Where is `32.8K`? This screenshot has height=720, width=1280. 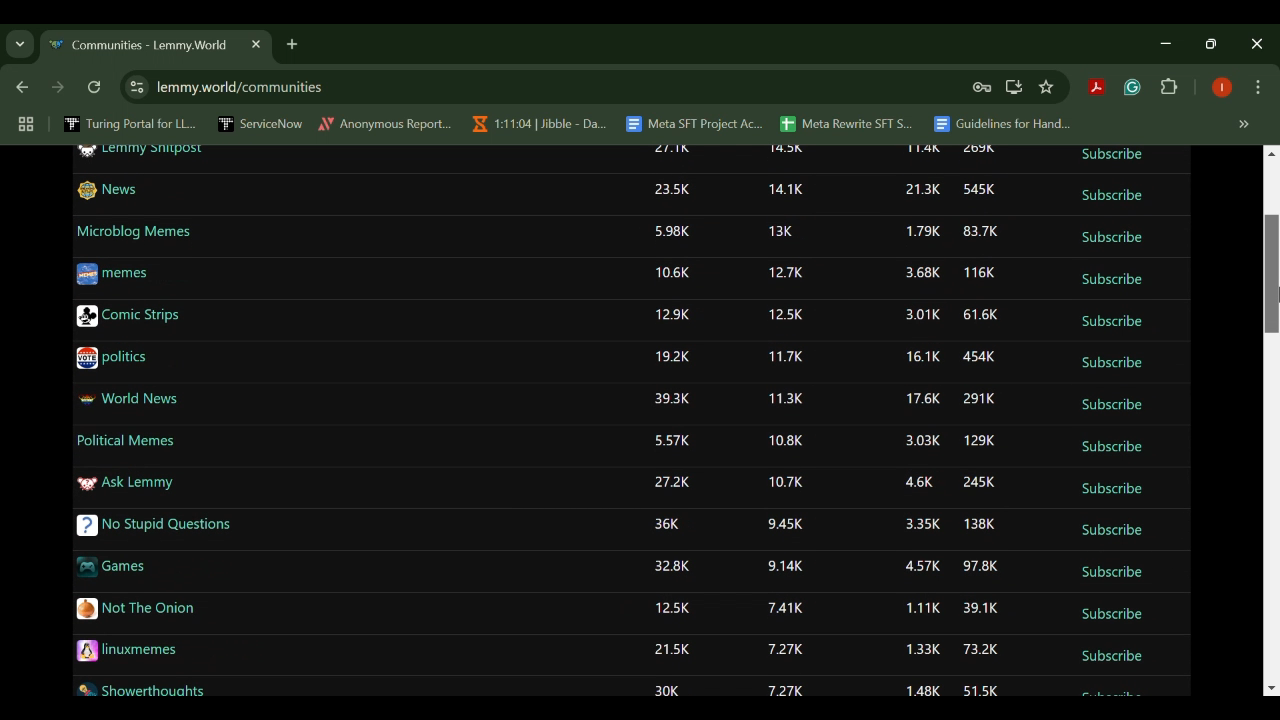
32.8K is located at coordinates (672, 564).